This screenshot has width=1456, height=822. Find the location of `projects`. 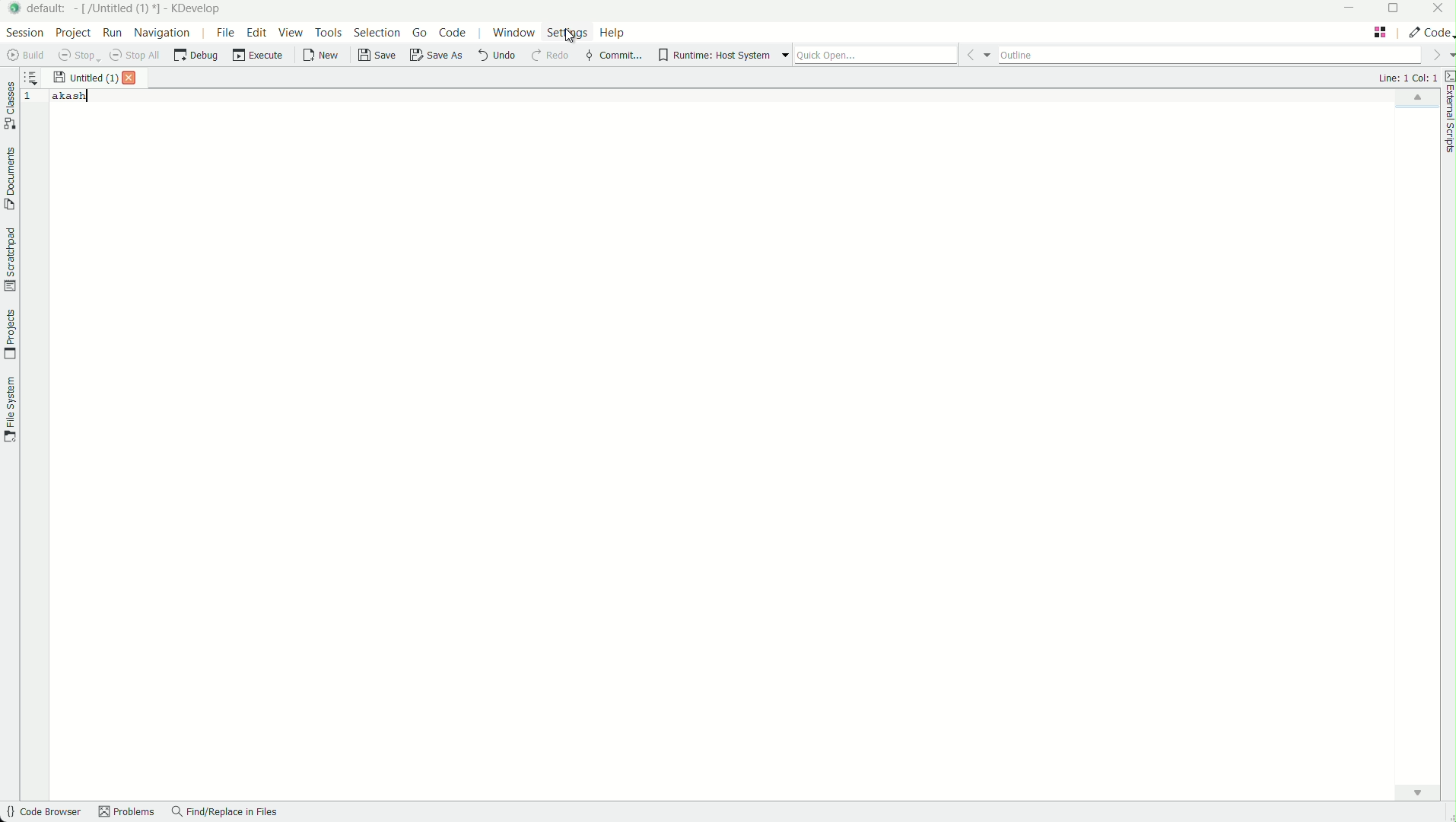

projects is located at coordinates (9, 335).